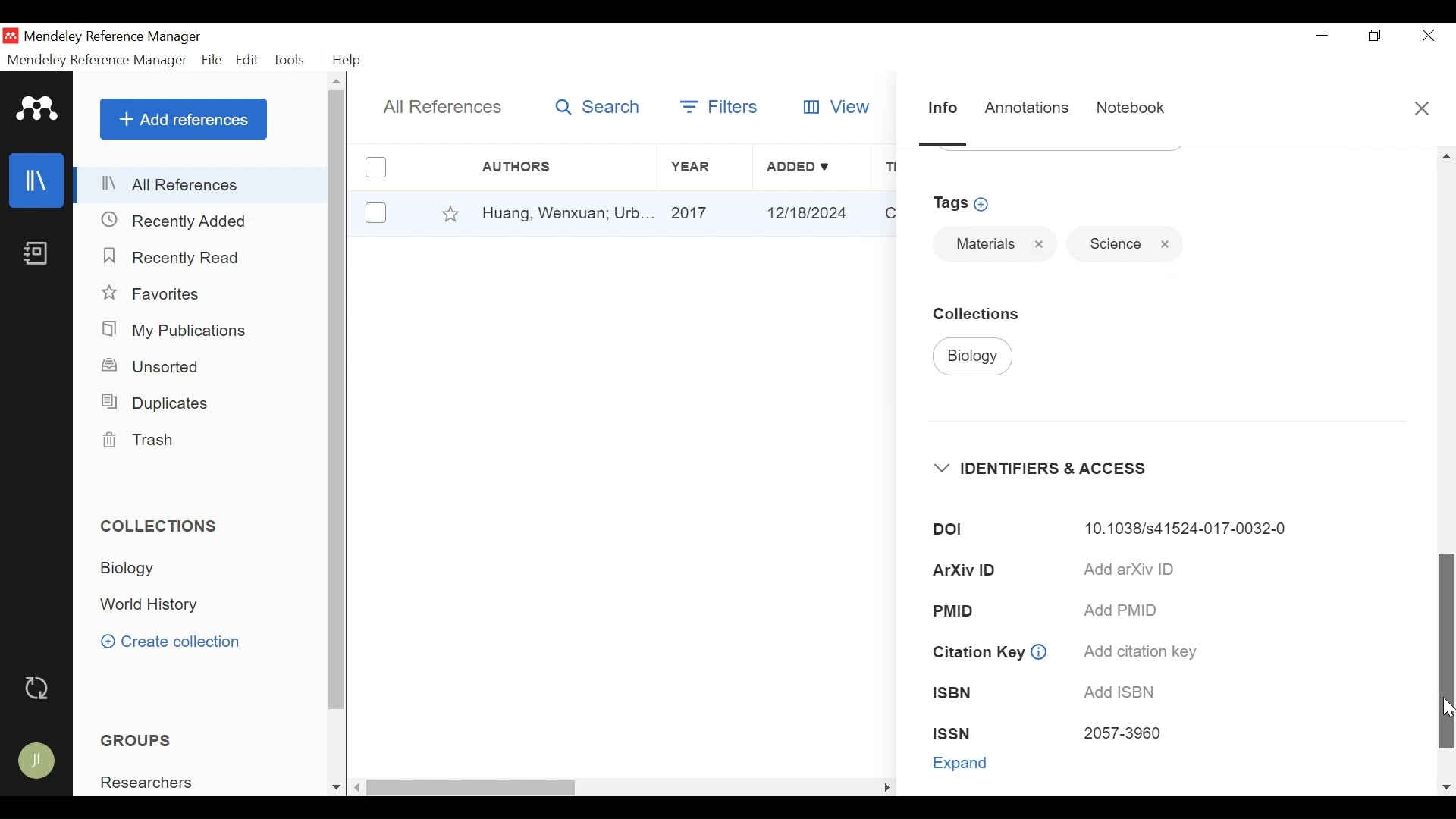 This screenshot has height=819, width=1456. What do you see at coordinates (1052, 468) in the screenshot?
I see `Identifiers & Access` at bounding box center [1052, 468].